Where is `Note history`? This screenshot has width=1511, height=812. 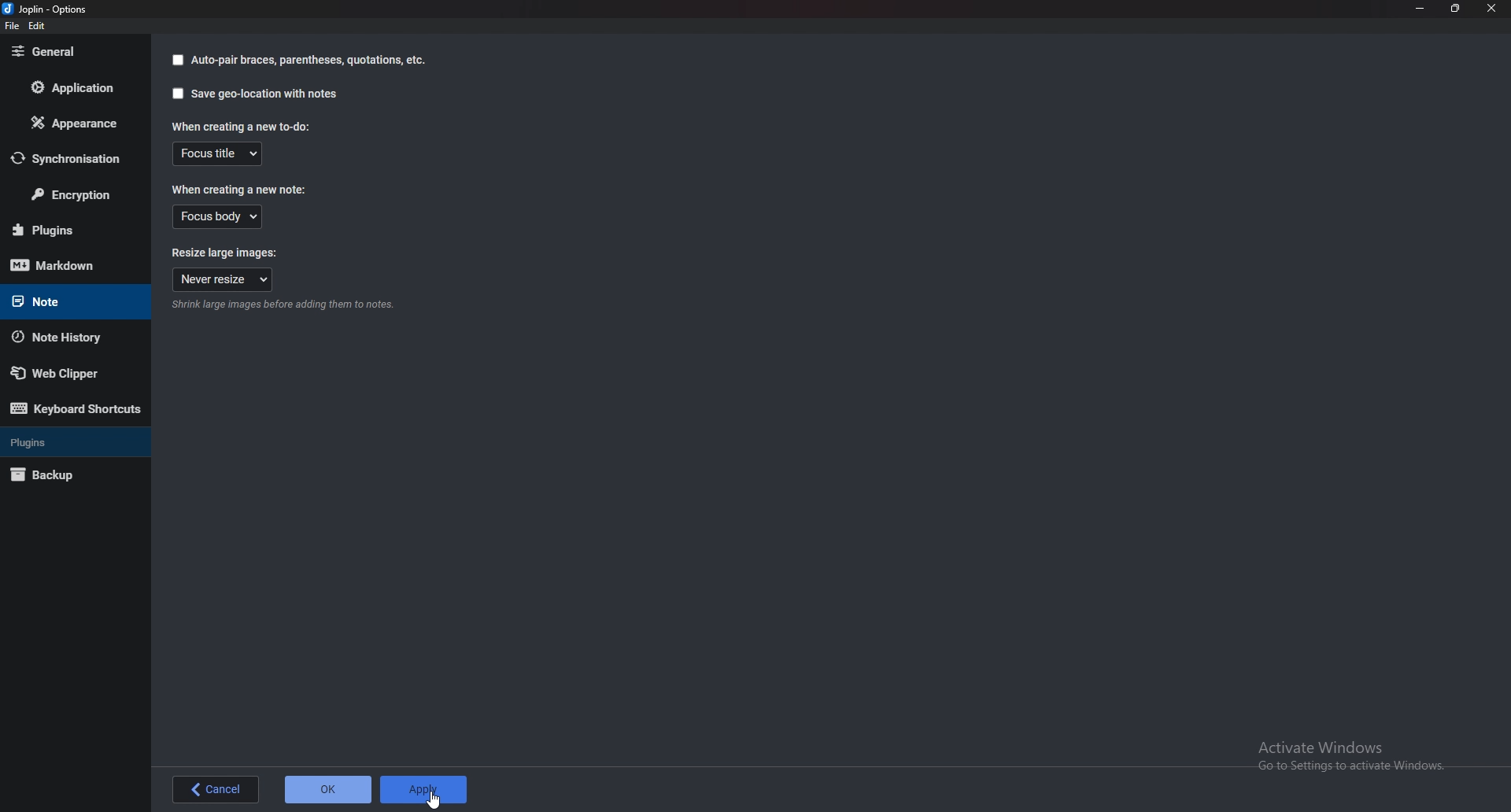
Note history is located at coordinates (63, 338).